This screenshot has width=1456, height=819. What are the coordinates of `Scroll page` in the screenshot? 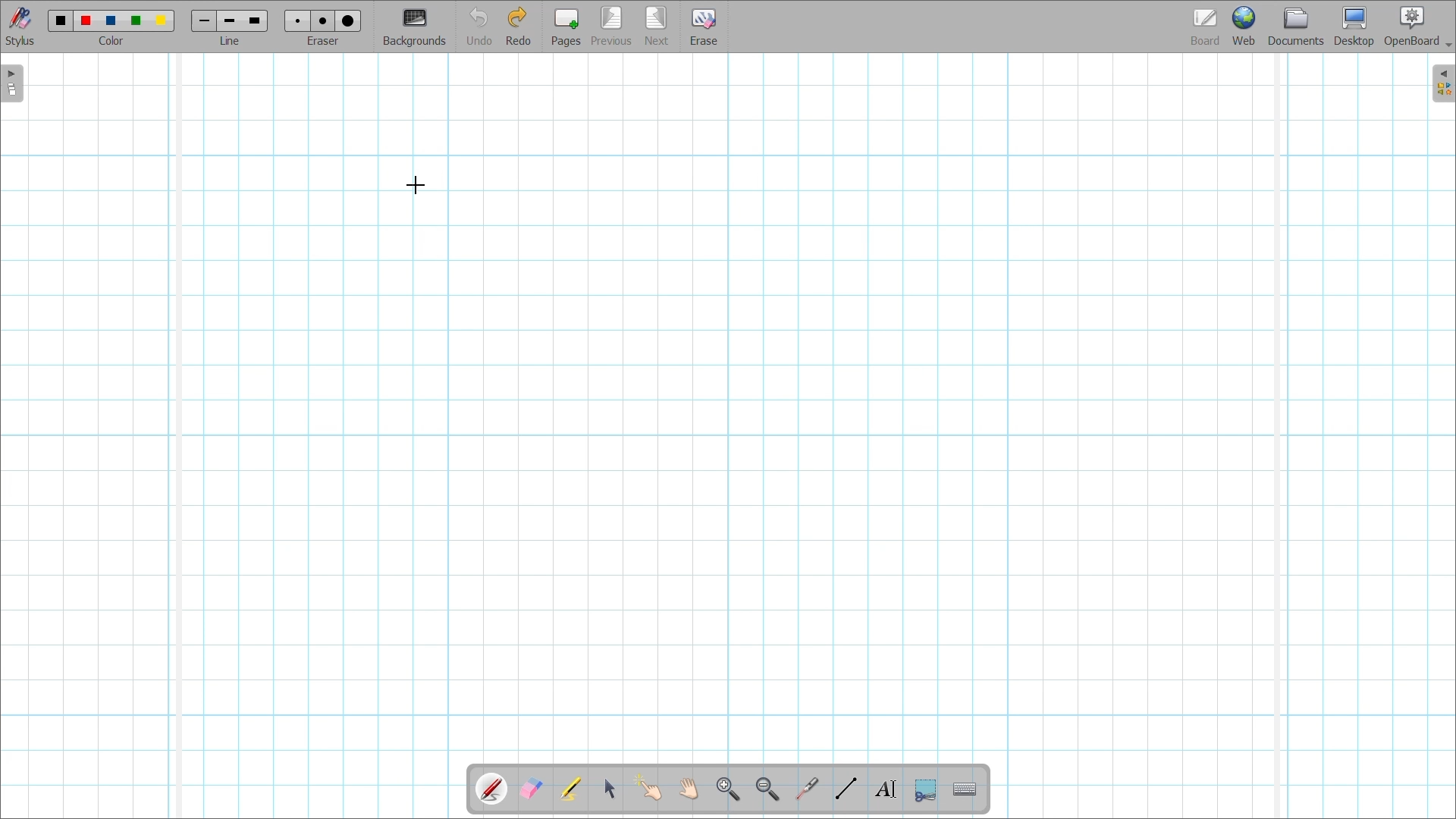 It's located at (689, 789).